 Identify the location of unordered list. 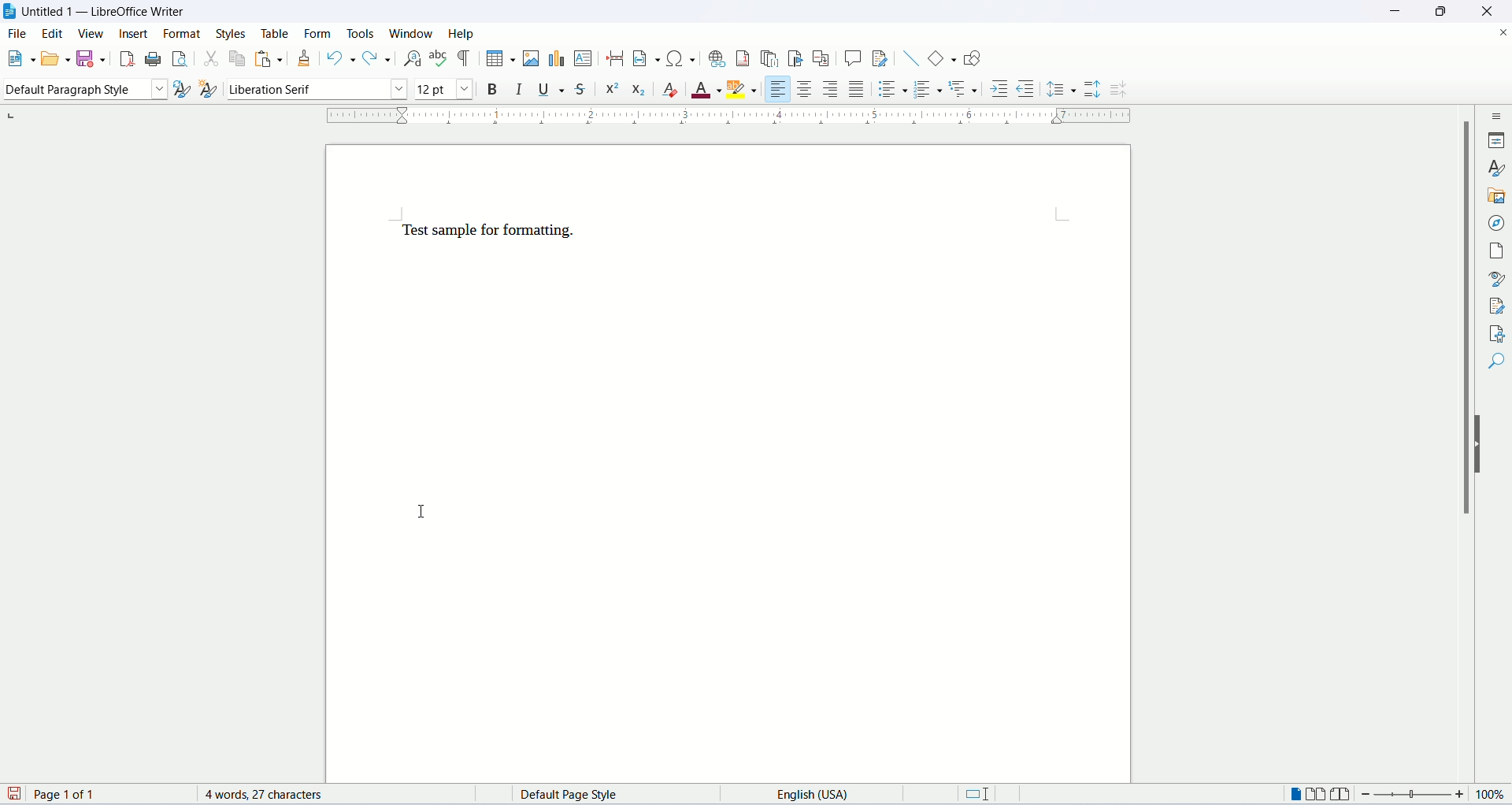
(891, 88).